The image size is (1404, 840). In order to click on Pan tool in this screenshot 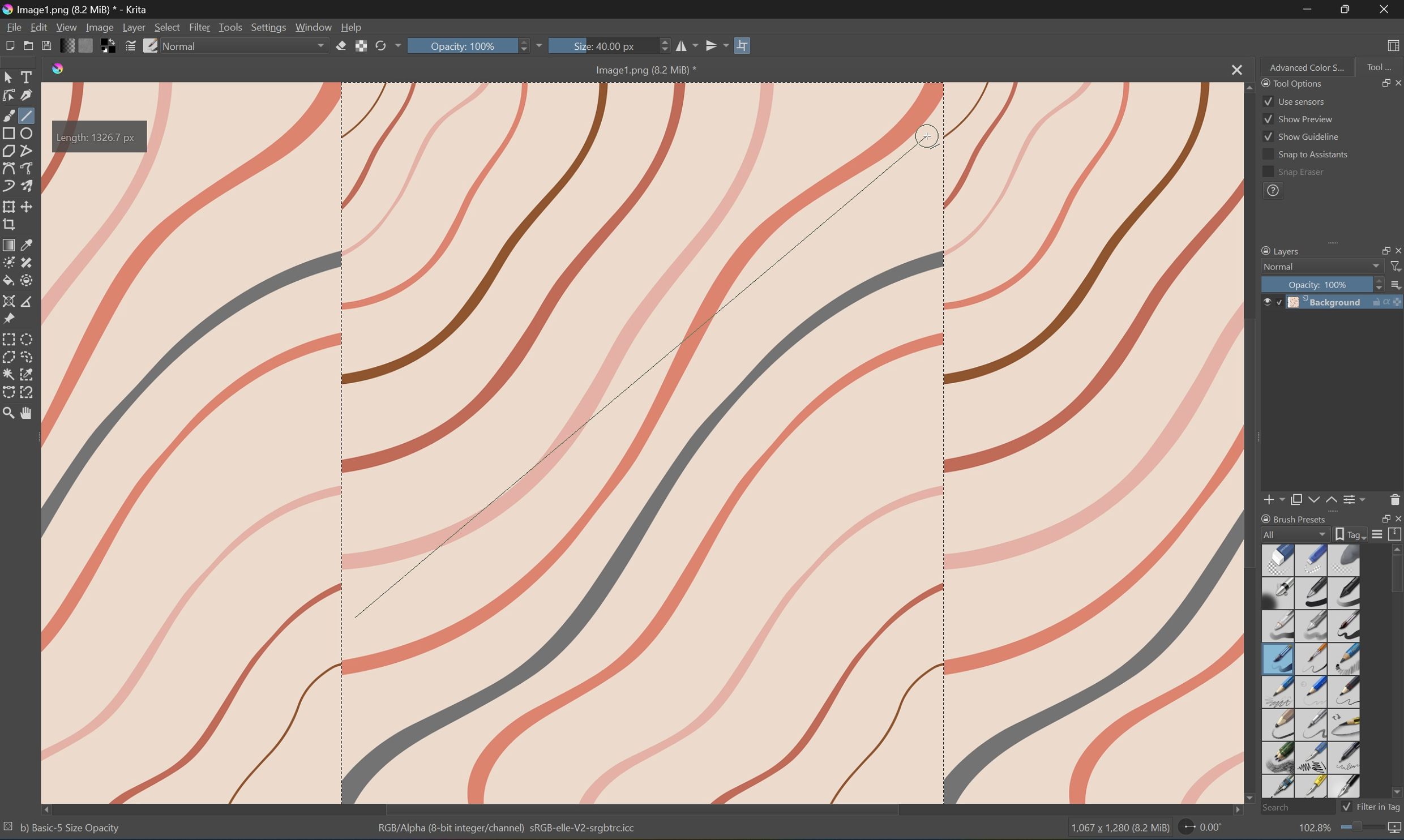, I will do `click(28, 415)`.